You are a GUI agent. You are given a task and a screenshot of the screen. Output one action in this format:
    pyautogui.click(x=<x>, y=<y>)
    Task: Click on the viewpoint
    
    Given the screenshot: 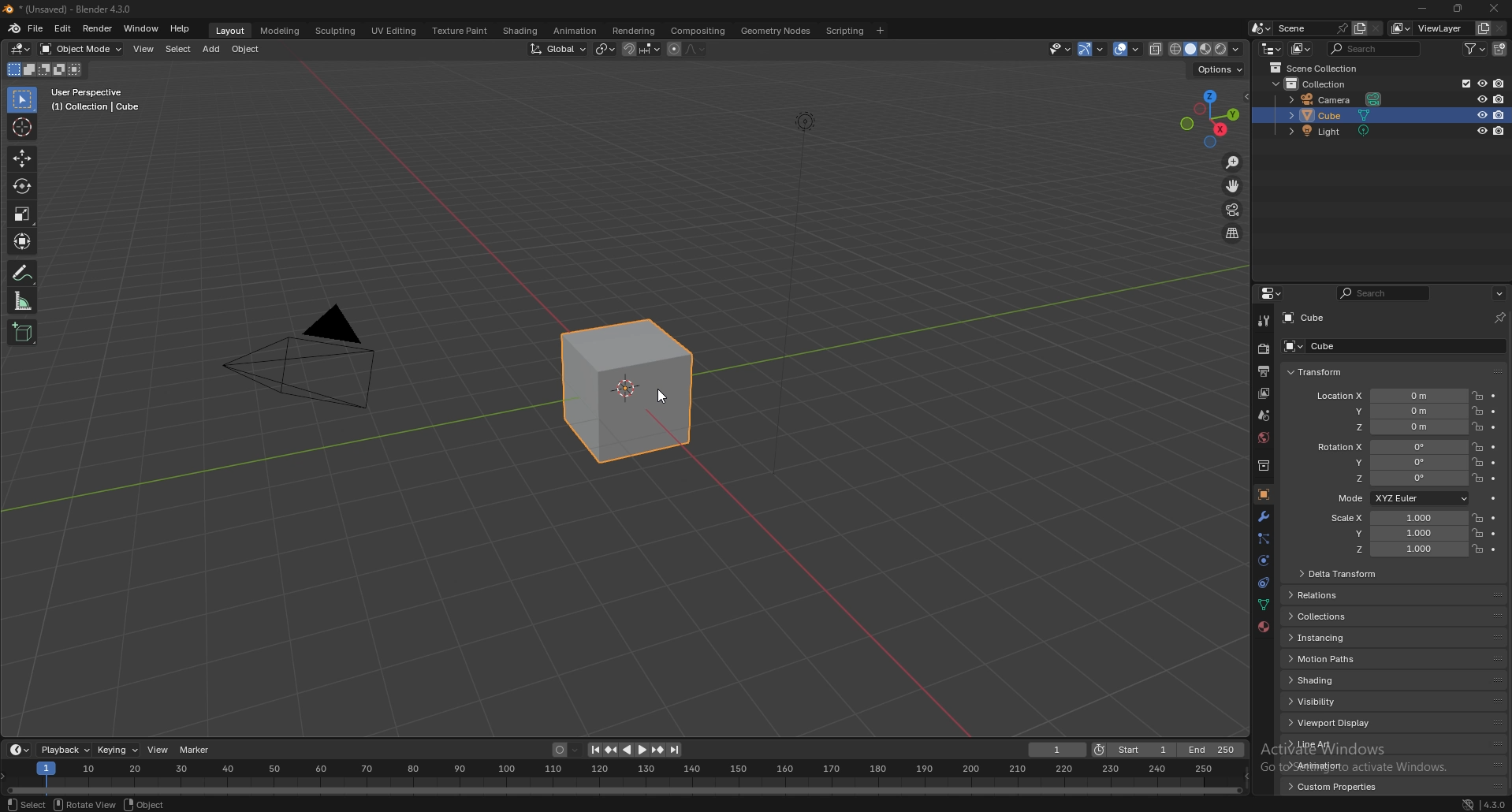 What is the action you would take?
    pyautogui.click(x=1210, y=118)
    